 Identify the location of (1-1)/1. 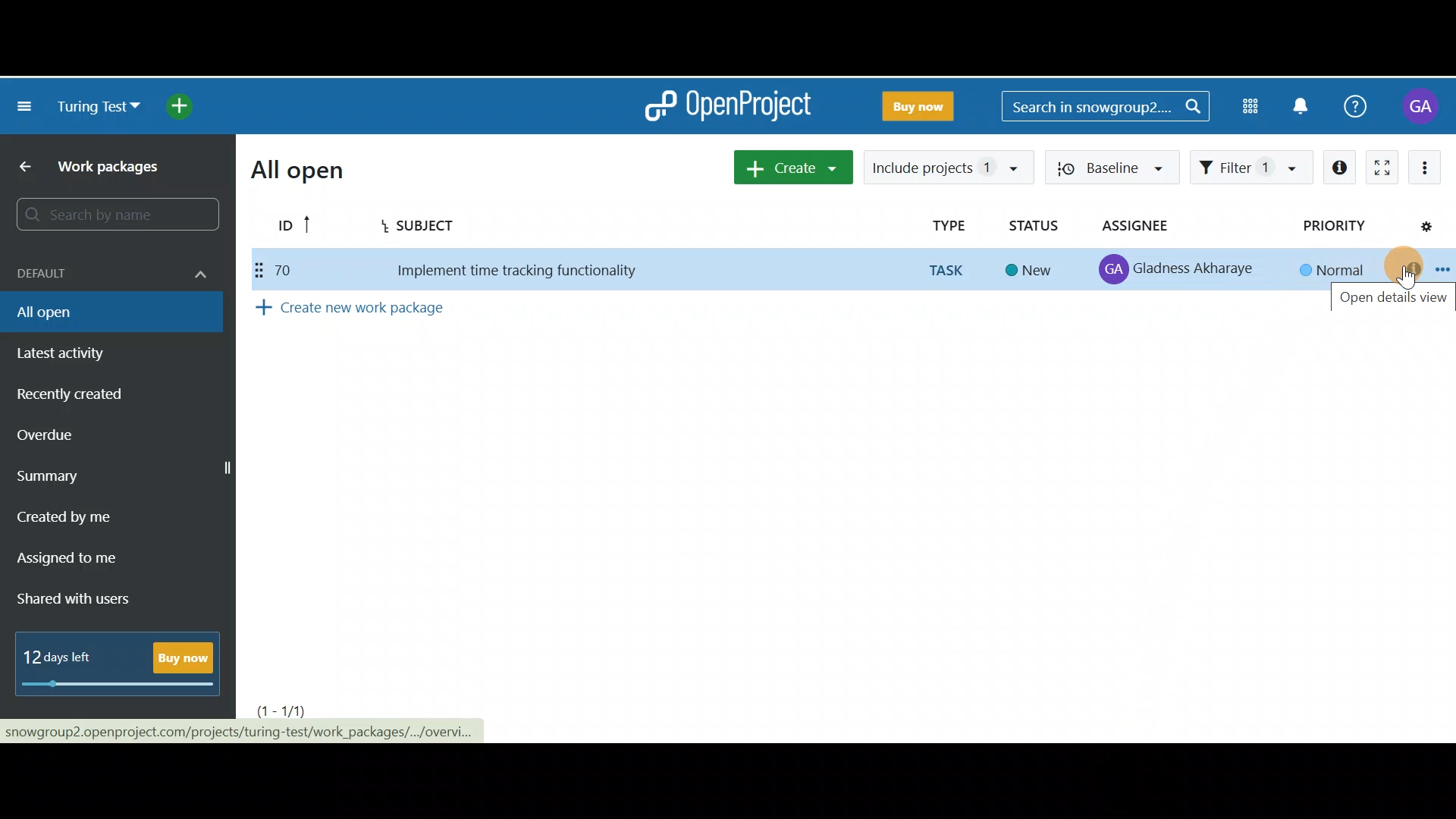
(290, 711).